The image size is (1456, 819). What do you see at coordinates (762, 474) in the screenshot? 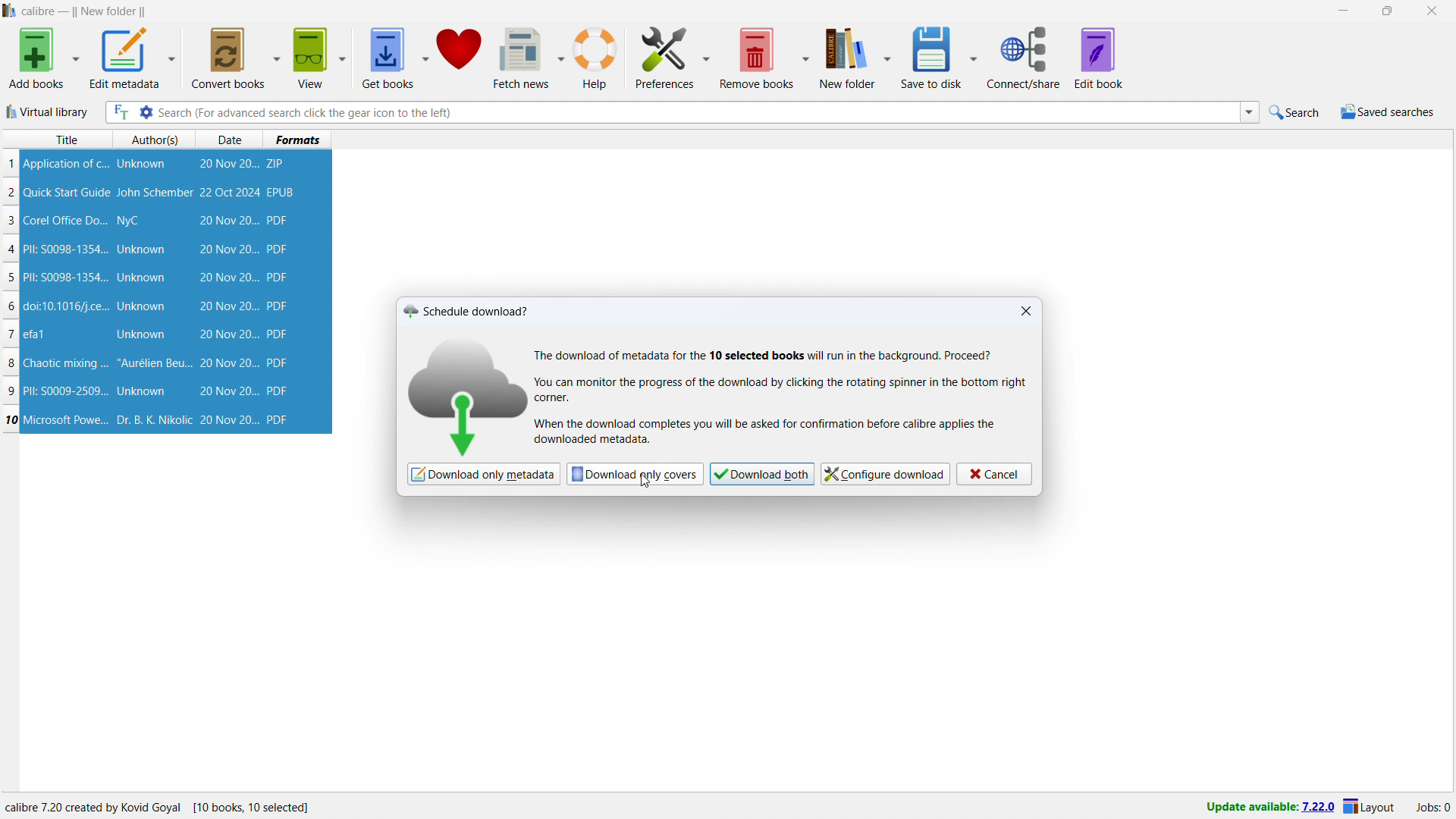
I see `download both` at bounding box center [762, 474].